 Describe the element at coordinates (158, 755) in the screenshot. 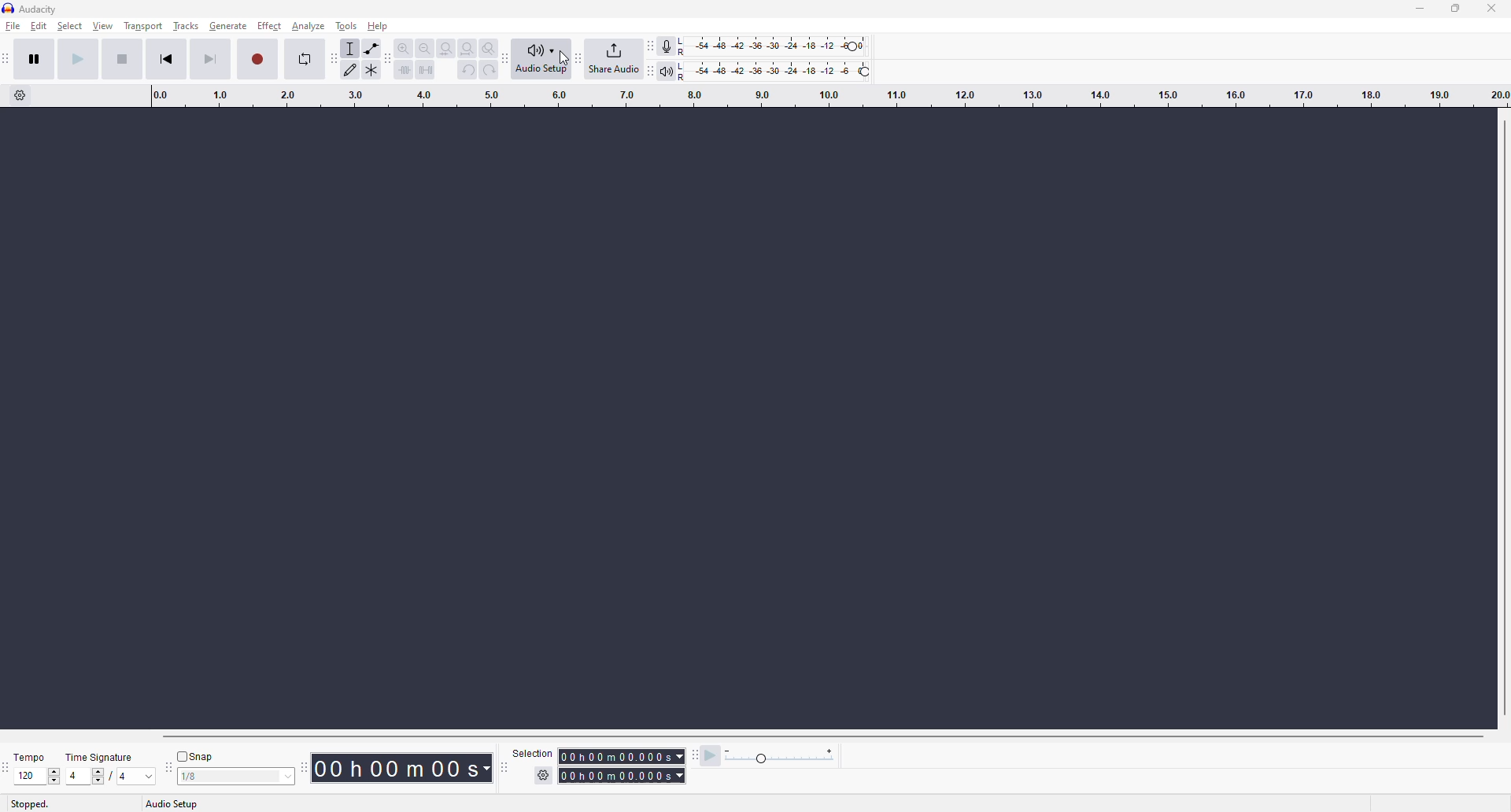

I see `snap toolbar` at that location.